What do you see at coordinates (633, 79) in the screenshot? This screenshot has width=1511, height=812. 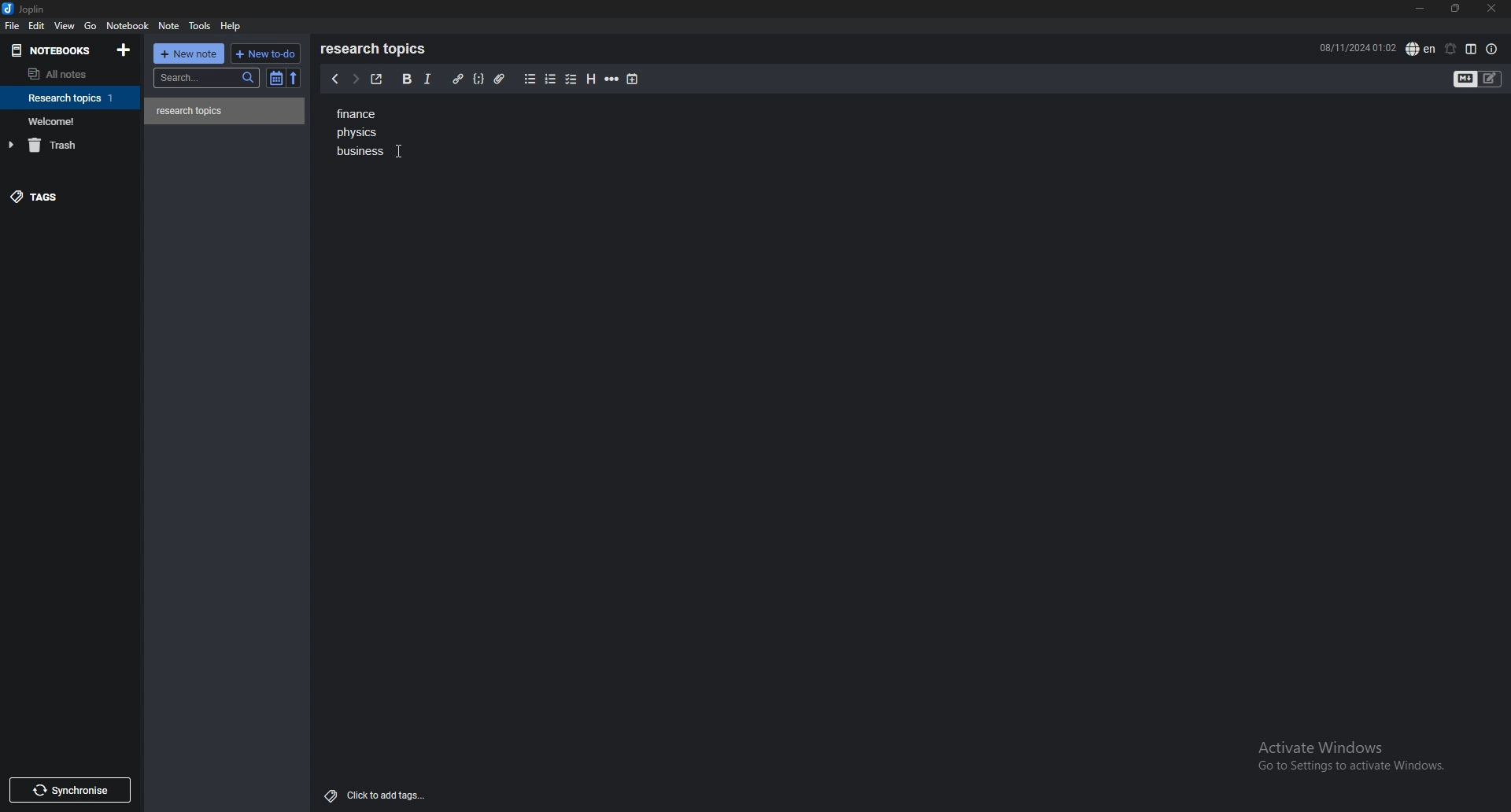 I see `add time` at bounding box center [633, 79].